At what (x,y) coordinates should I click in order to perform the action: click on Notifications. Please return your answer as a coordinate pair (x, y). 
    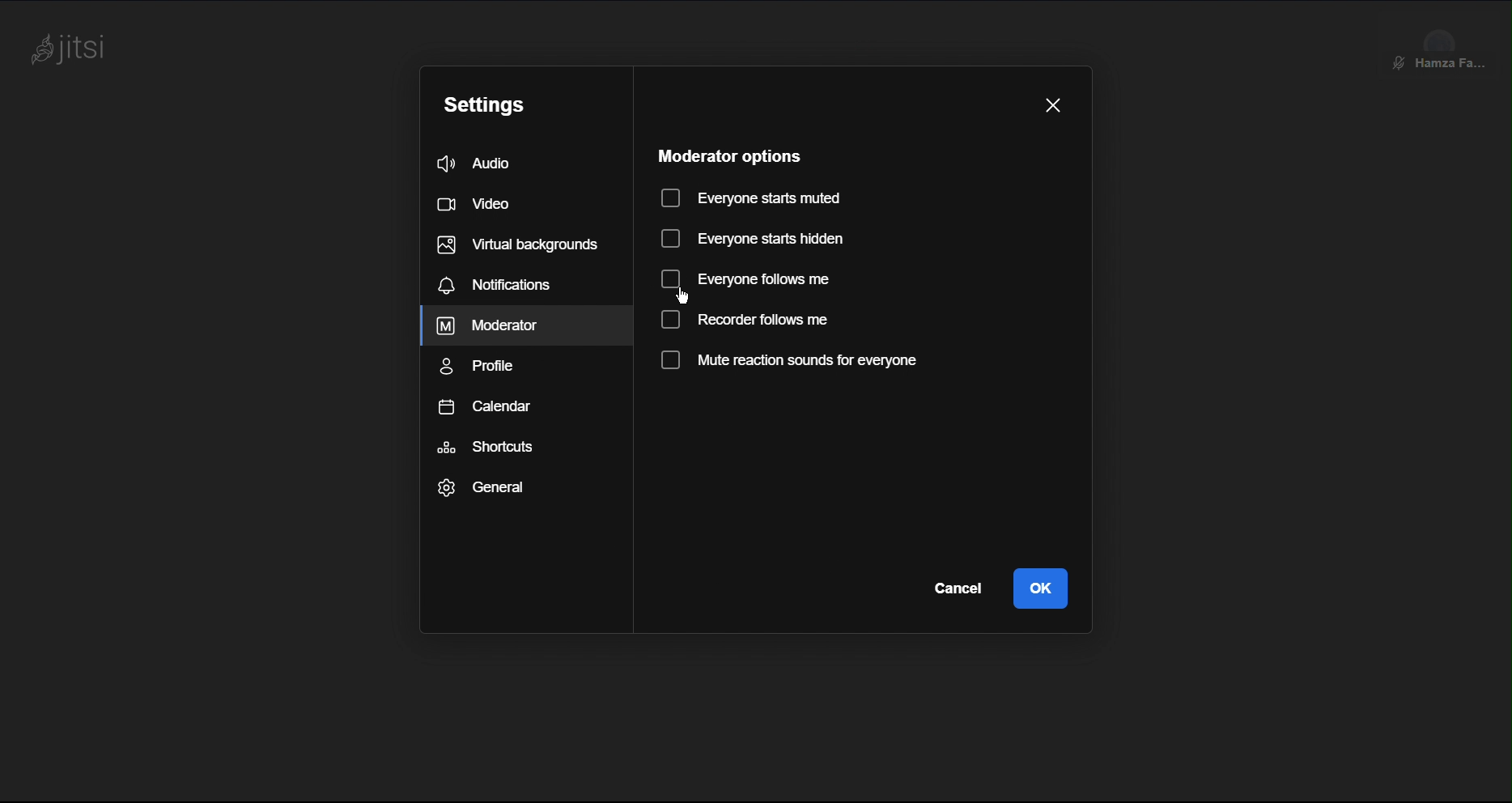
    Looking at the image, I should click on (500, 284).